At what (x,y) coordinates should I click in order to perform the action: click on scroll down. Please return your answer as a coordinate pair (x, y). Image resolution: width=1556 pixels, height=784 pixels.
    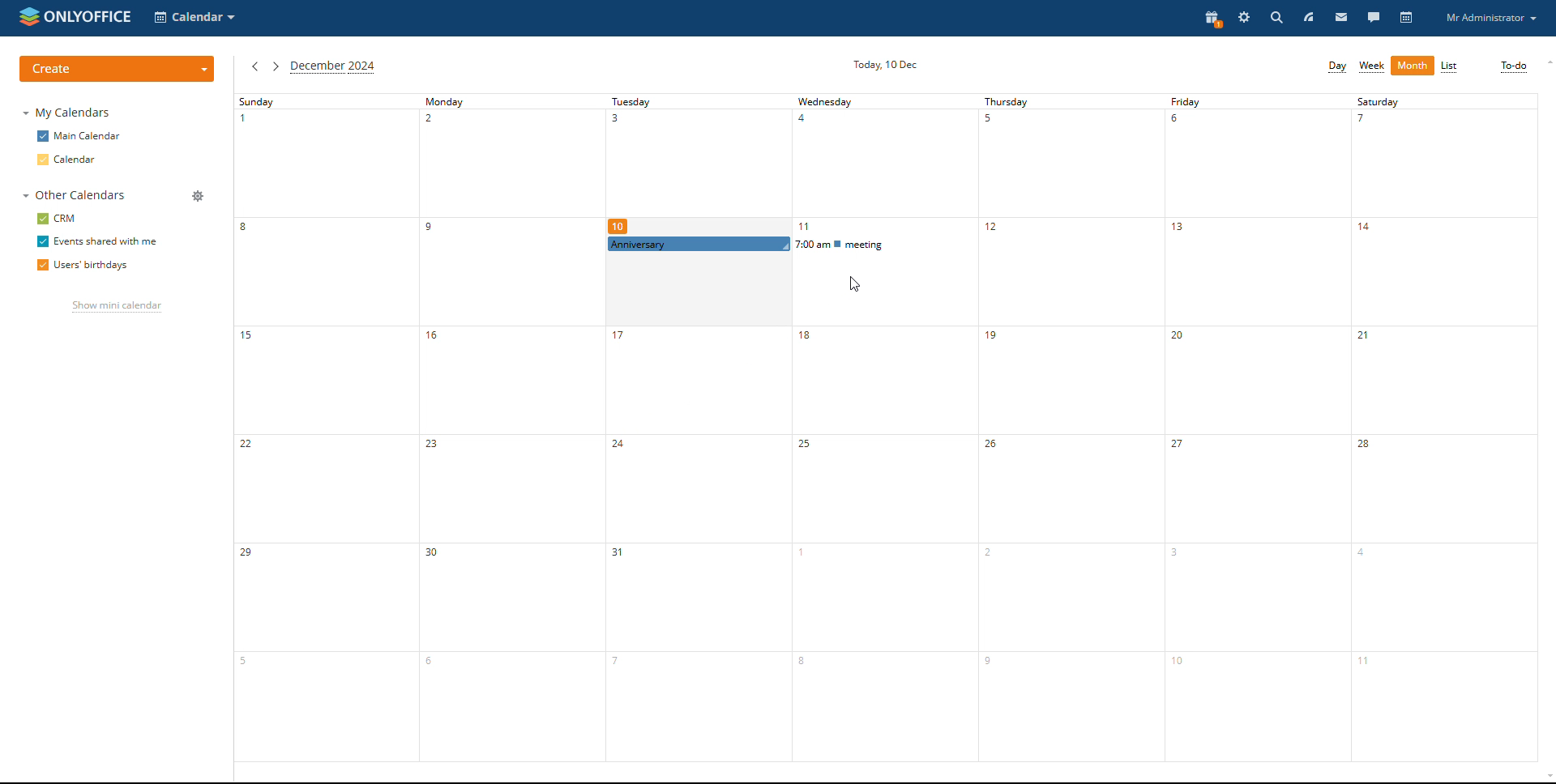
    Looking at the image, I should click on (1546, 777).